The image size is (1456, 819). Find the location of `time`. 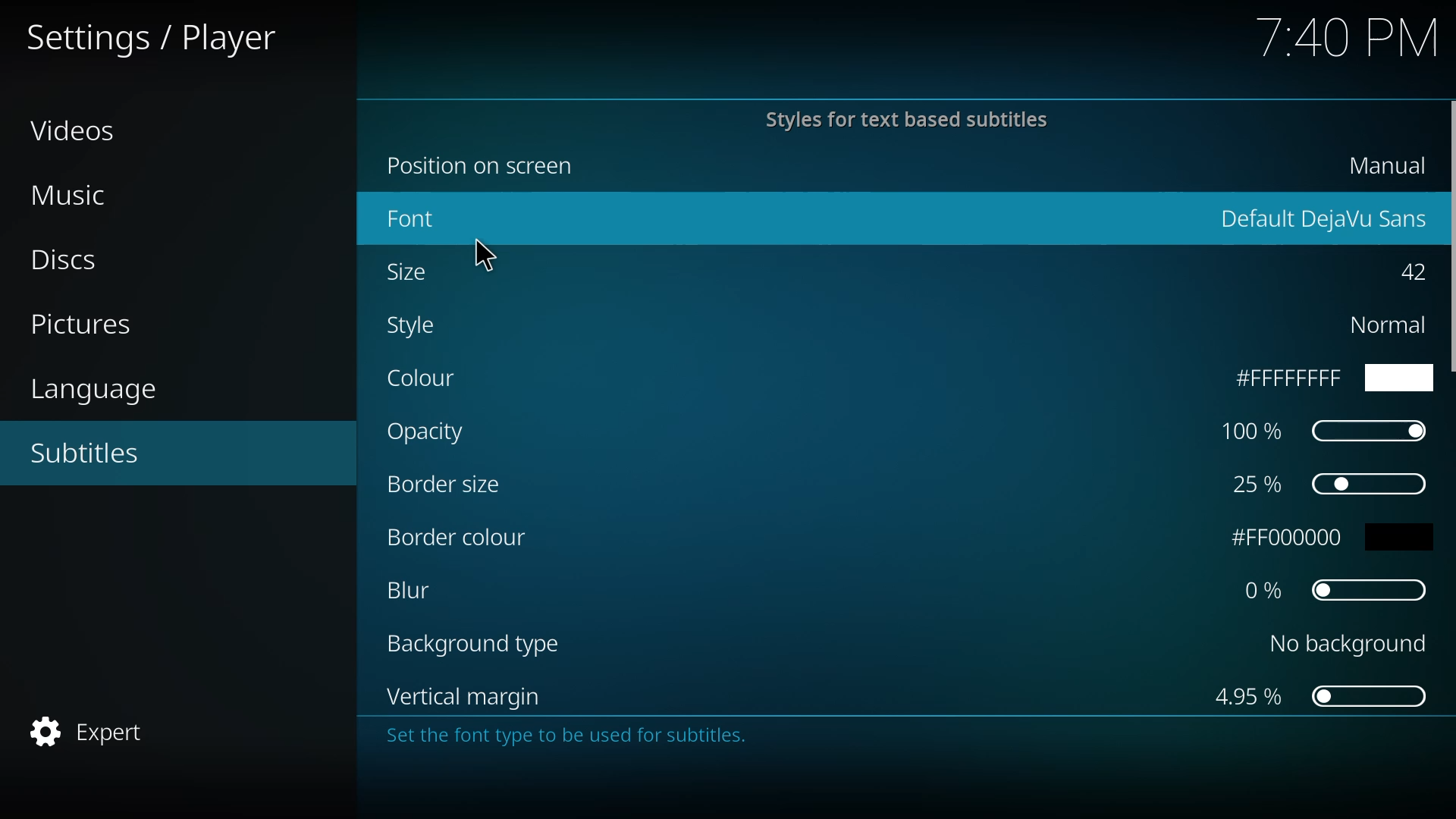

time is located at coordinates (1347, 39).